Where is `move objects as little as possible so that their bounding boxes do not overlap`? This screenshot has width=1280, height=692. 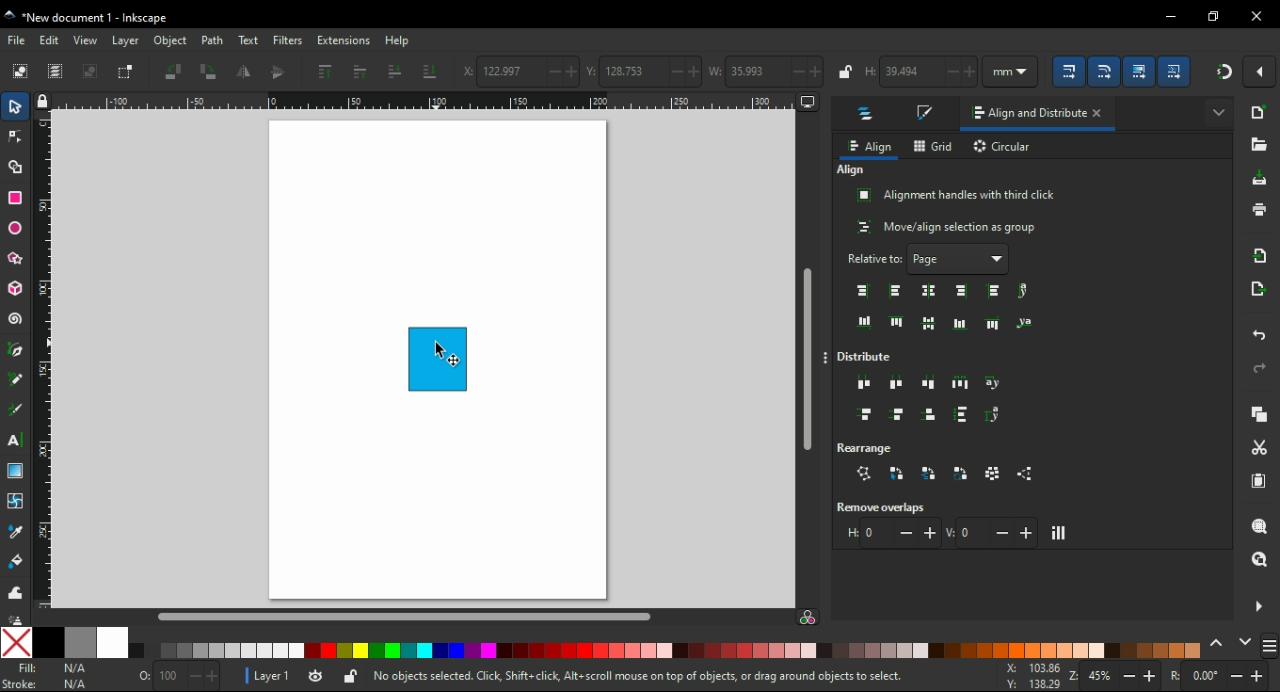
move objects as little as possible so that their bounding boxes do not overlap is located at coordinates (1061, 533).